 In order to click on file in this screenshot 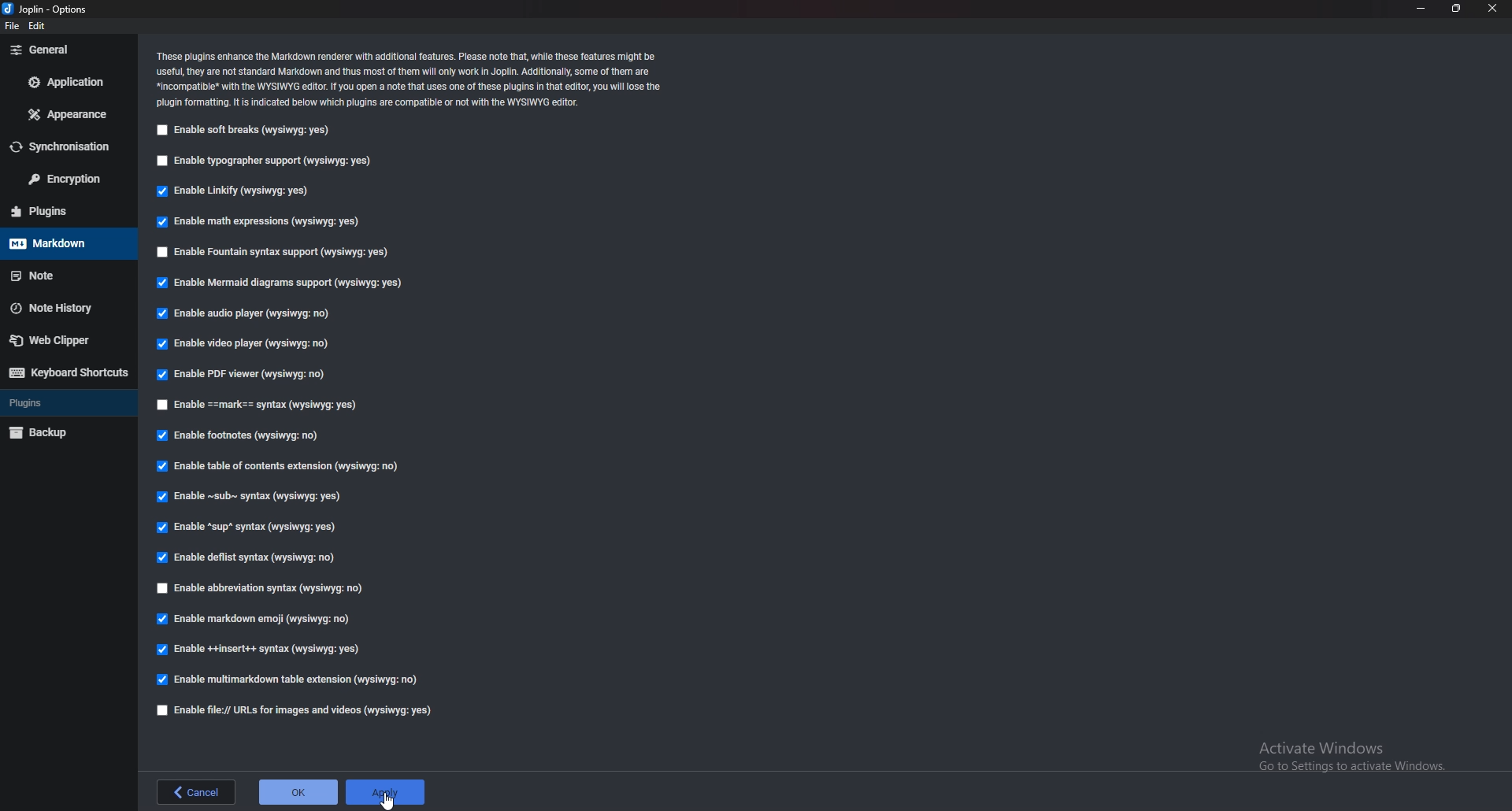, I will do `click(11, 25)`.